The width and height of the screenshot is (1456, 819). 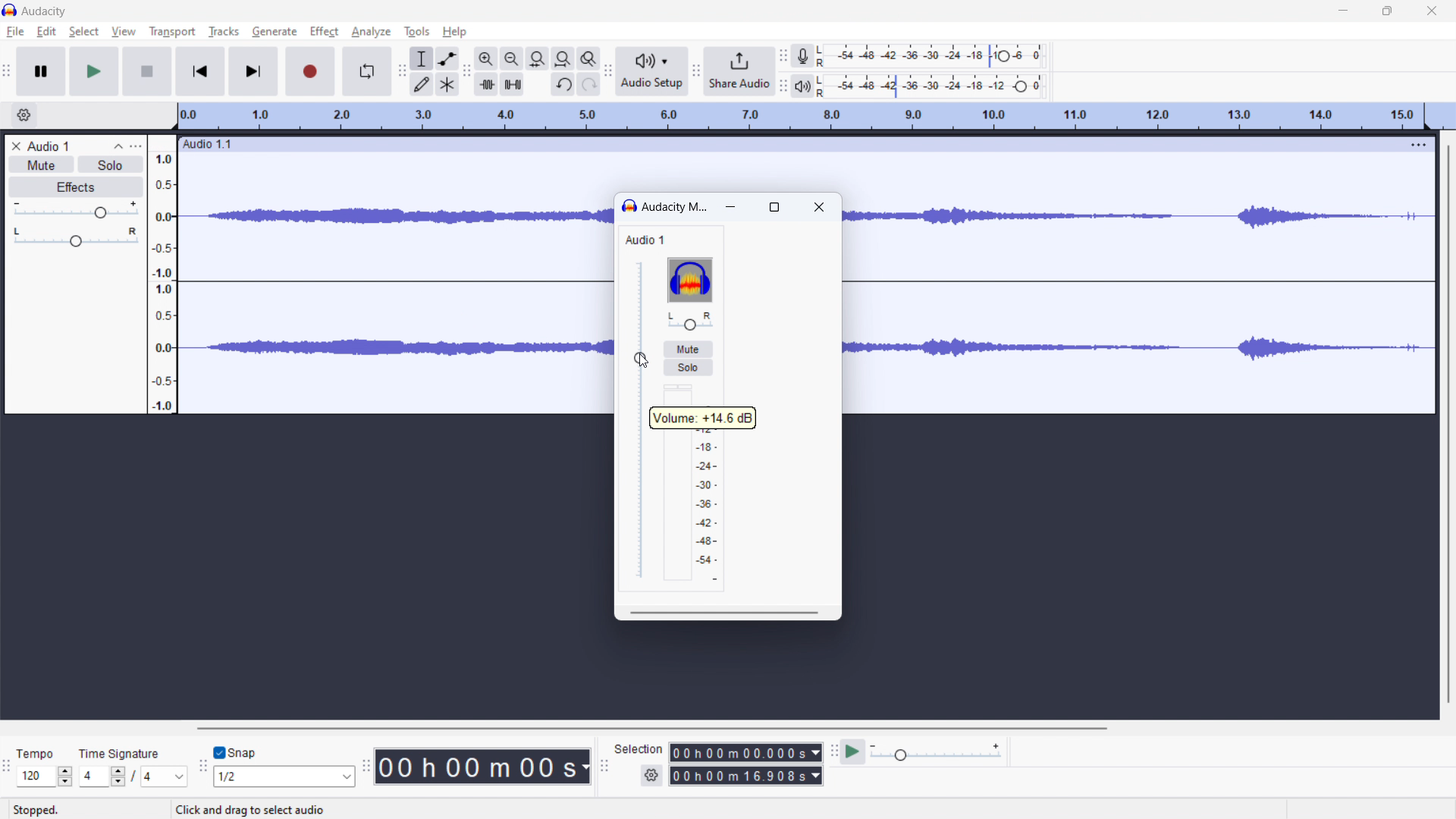 What do you see at coordinates (563, 85) in the screenshot?
I see `undo` at bounding box center [563, 85].